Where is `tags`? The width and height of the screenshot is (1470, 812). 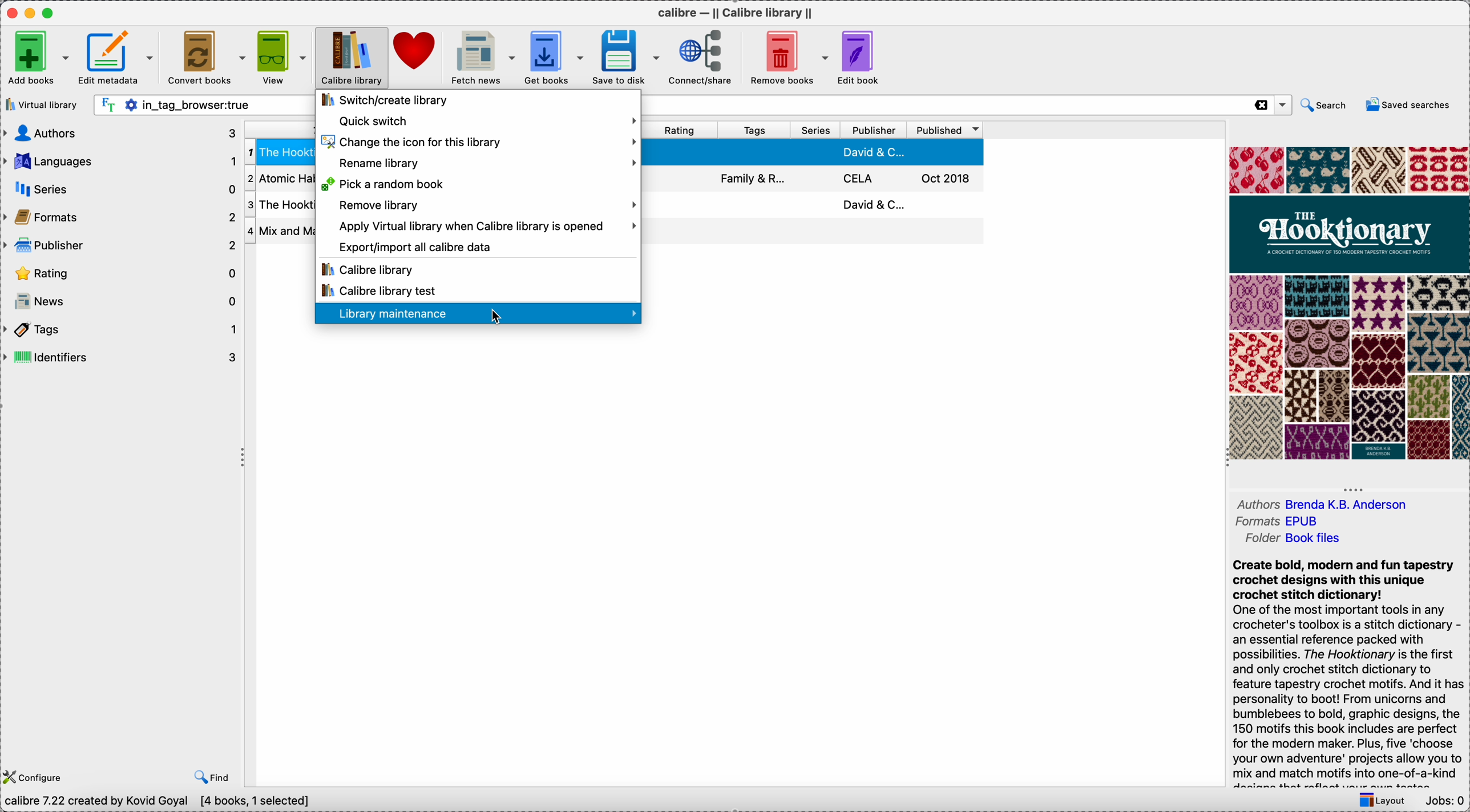 tags is located at coordinates (754, 130).